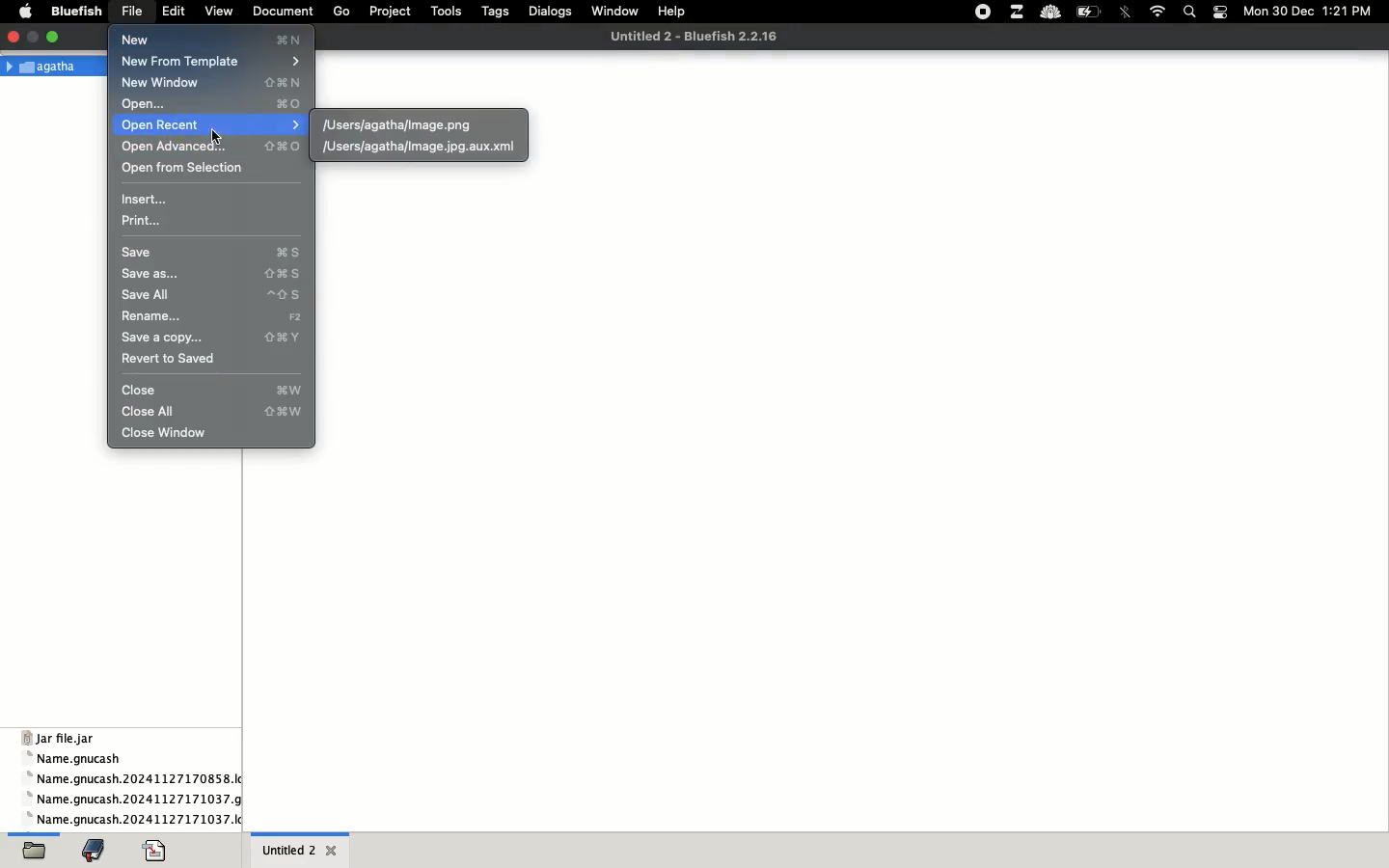 This screenshot has width=1389, height=868. I want to click on bookmark, so click(93, 848).